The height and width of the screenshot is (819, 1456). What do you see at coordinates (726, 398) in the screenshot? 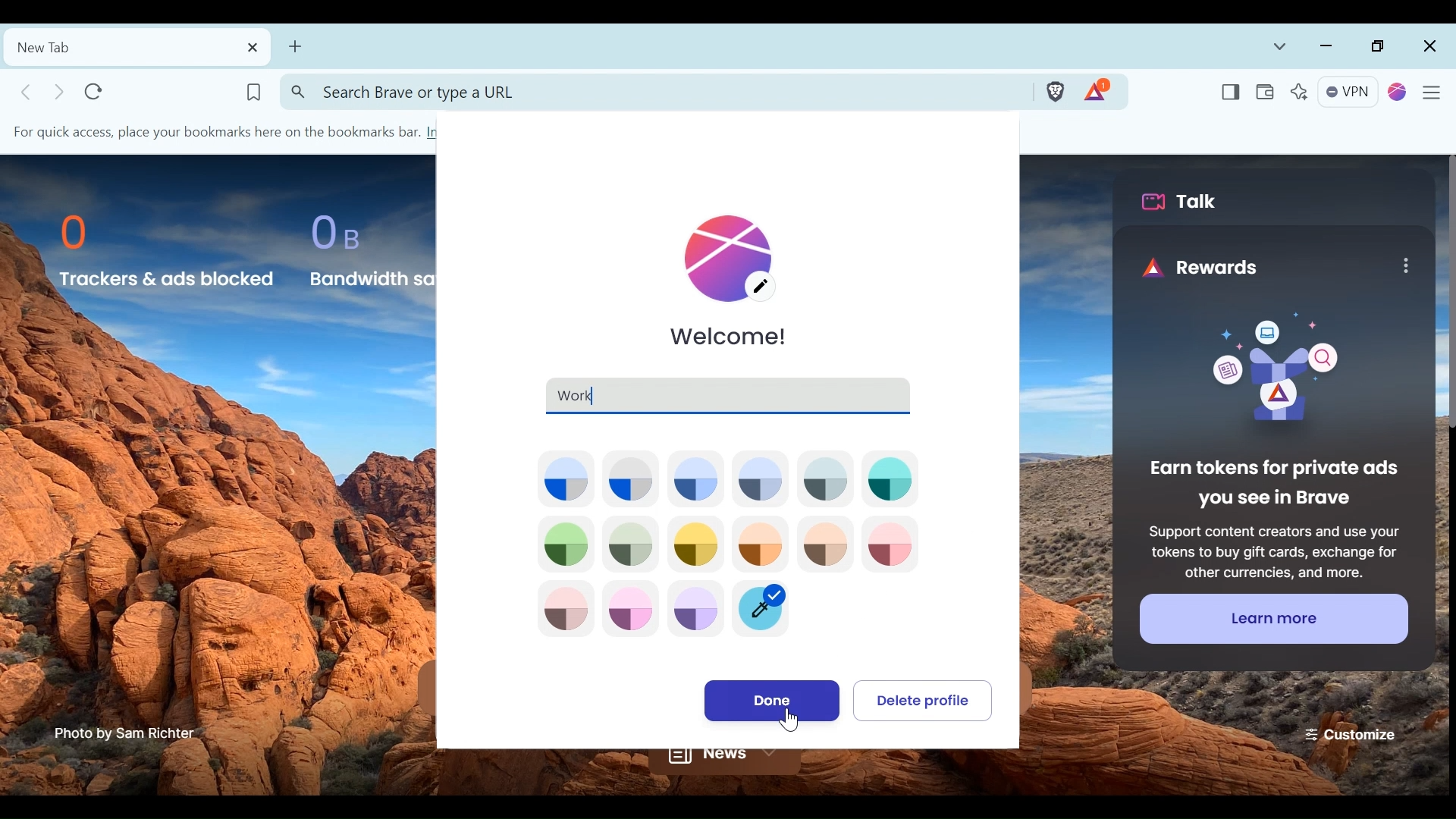
I see `Work` at bounding box center [726, 398].